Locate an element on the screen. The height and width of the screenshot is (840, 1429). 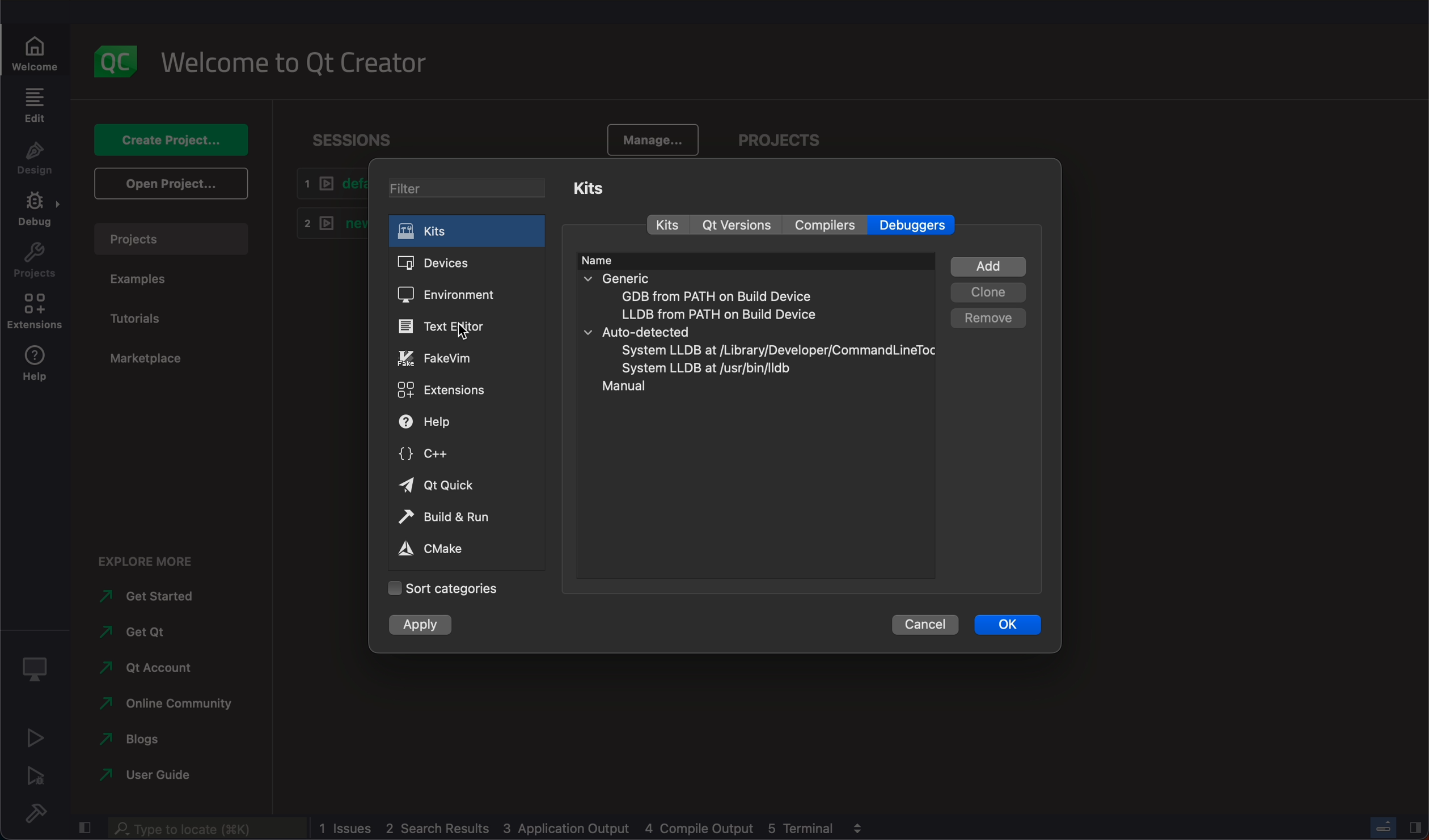
kits is located at coordinates (468, 233).